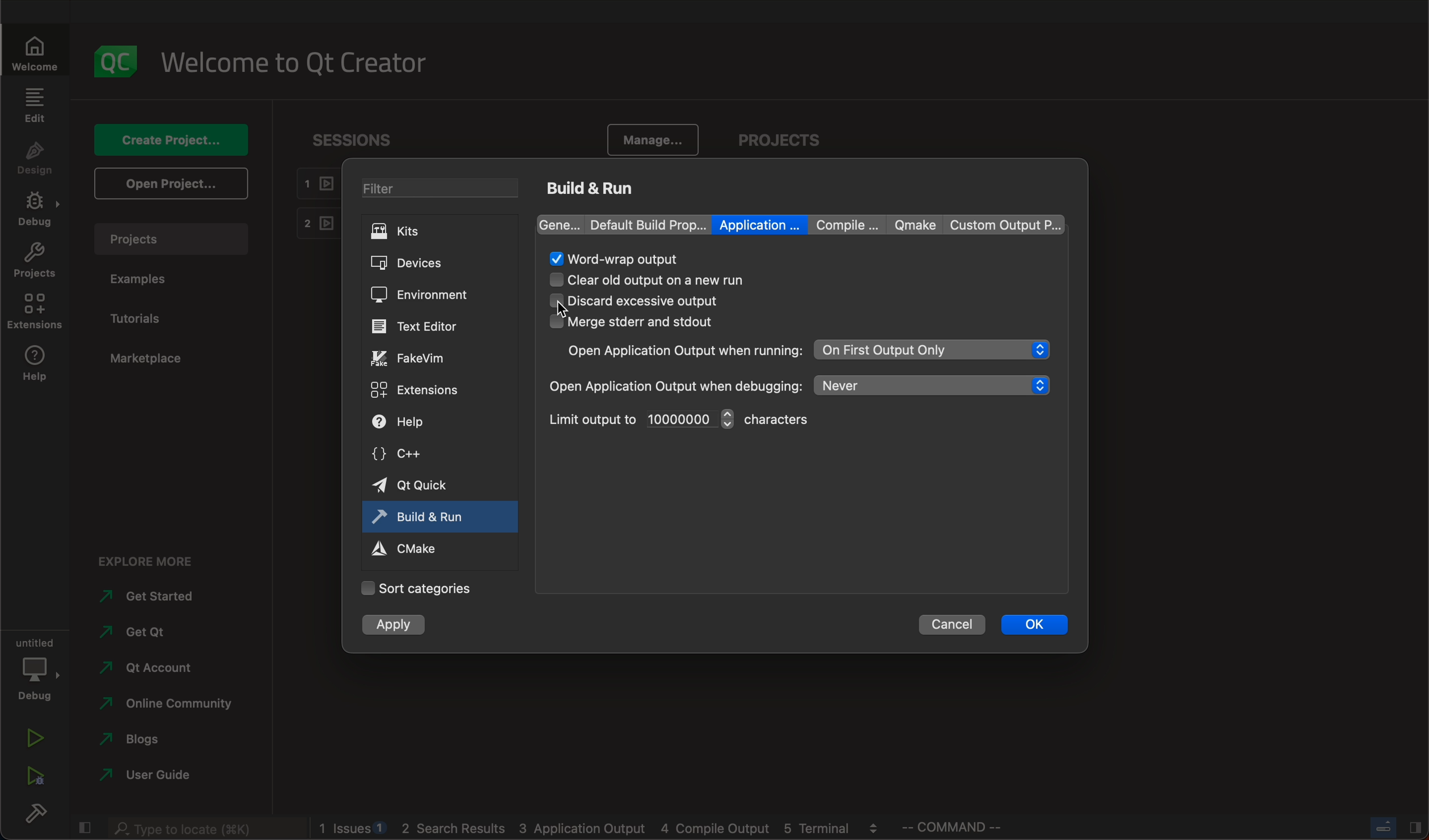 The image size is (1429, 840). I want to click on open, so click(168, 184).